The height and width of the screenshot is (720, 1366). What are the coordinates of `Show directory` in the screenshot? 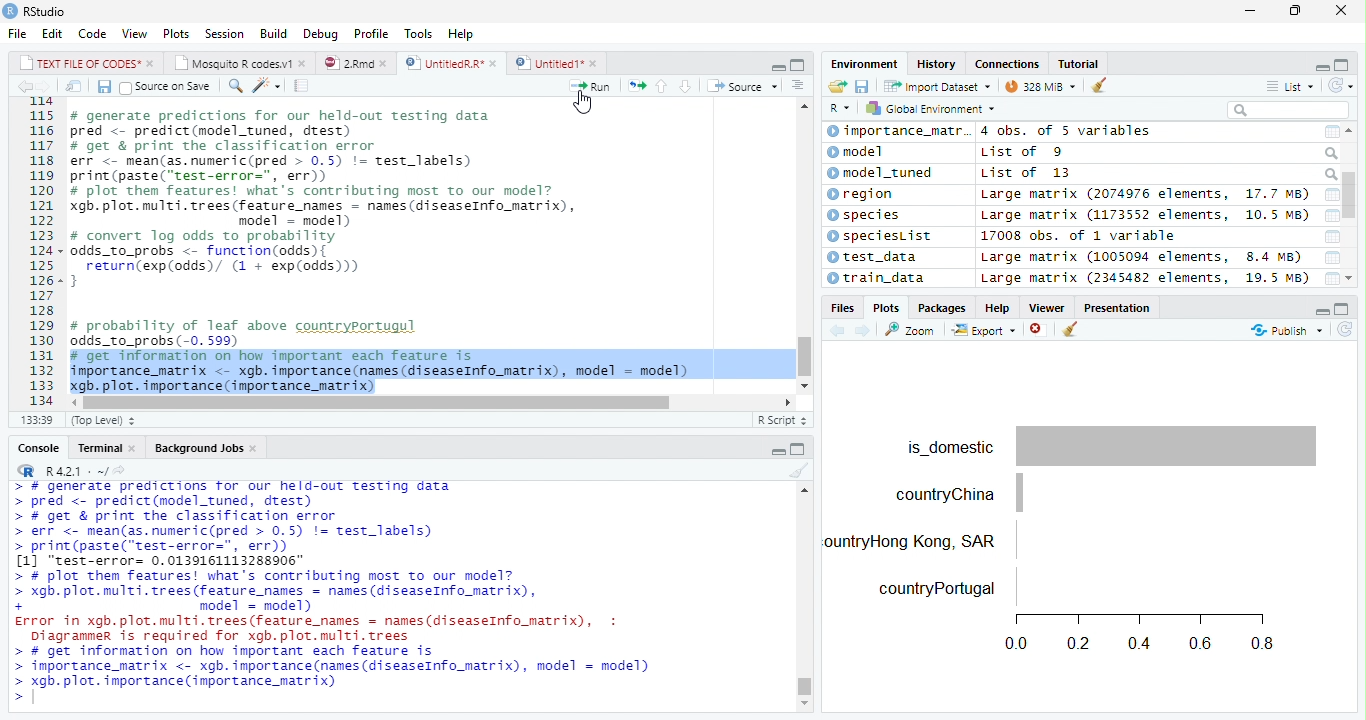 It's located at (119, 469).